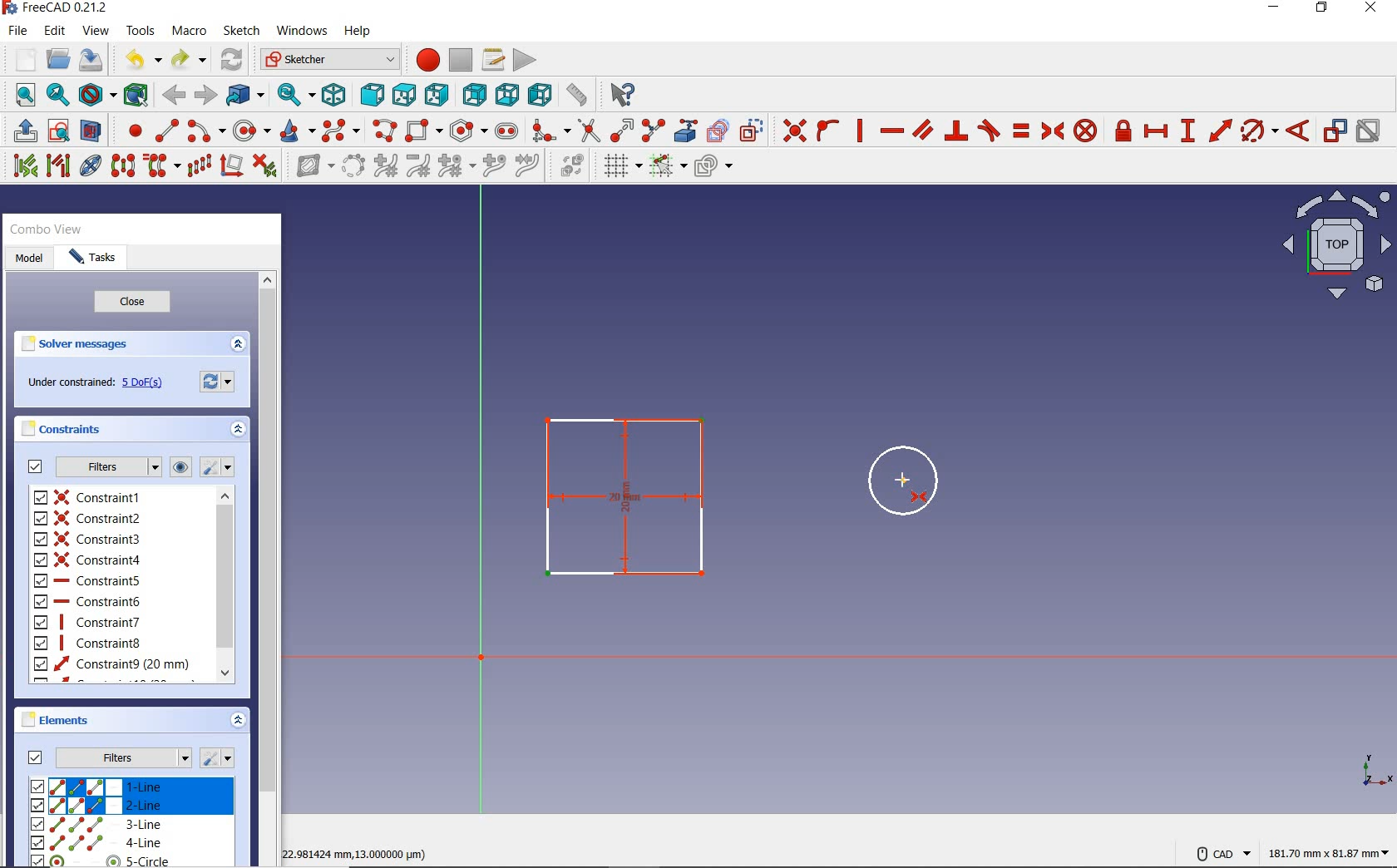 The height and width of the screenshot is (868, 1397). Describe the element at coordinates (95, 94) in the screenshot. I see `draw style` at that location.